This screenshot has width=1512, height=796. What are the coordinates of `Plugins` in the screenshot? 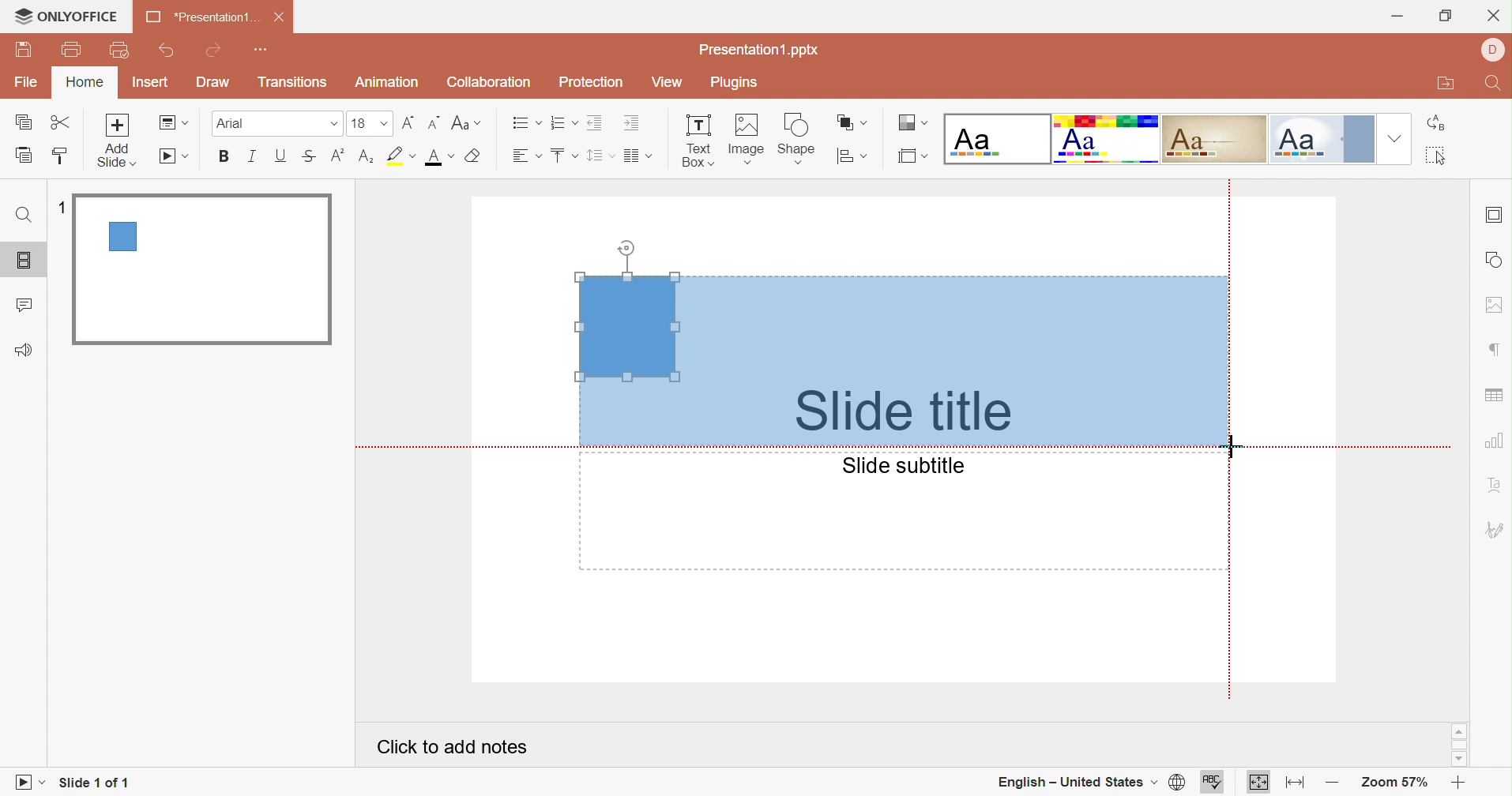 It's located at (732, 83).